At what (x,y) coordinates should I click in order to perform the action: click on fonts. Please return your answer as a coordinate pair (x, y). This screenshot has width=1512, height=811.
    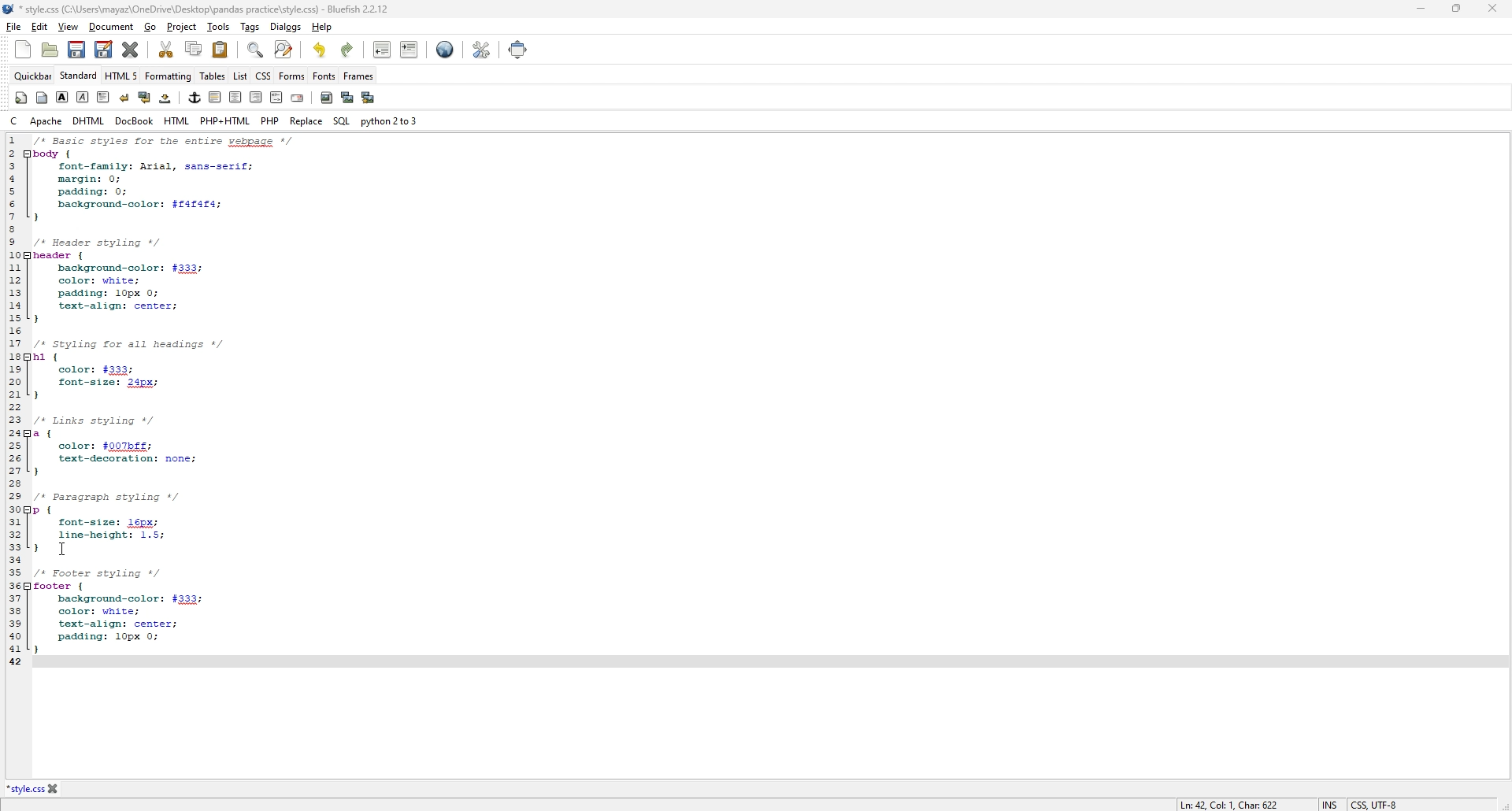
    Looking at the image, I should click on (324, 76).